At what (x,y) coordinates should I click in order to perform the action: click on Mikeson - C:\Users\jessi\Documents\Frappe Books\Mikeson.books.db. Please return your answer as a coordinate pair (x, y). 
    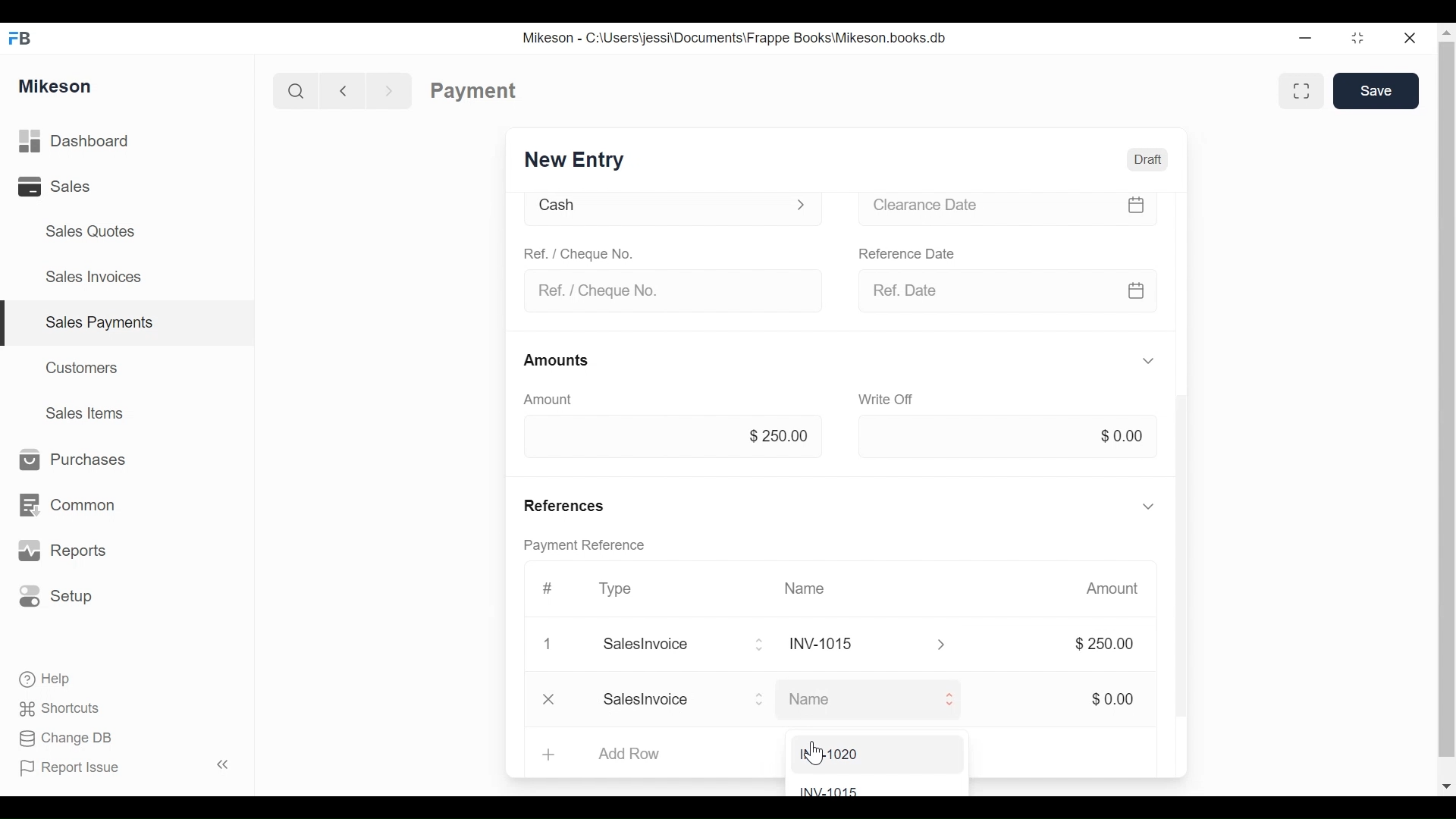
    Looking at the image, I should click on (745, 38).